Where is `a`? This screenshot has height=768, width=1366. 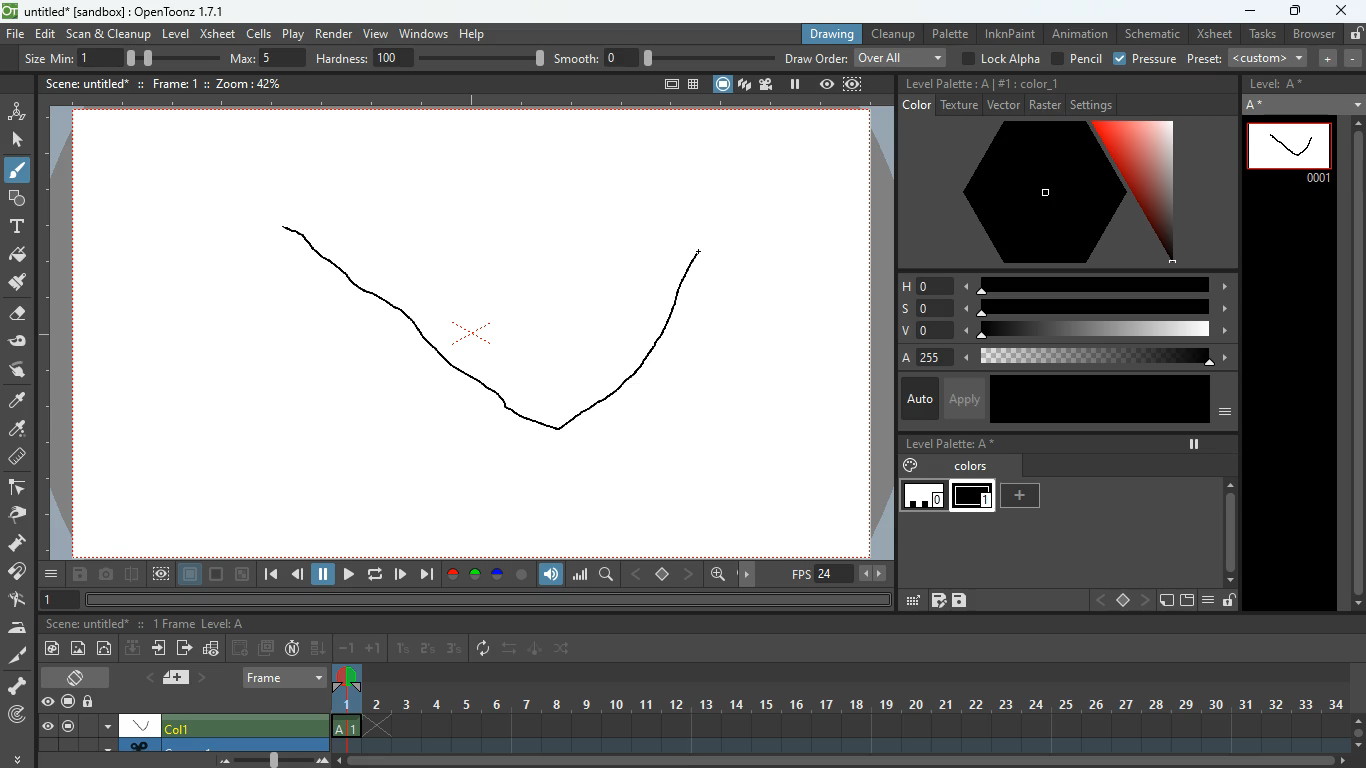
a is located at coordinates (1060, 358).